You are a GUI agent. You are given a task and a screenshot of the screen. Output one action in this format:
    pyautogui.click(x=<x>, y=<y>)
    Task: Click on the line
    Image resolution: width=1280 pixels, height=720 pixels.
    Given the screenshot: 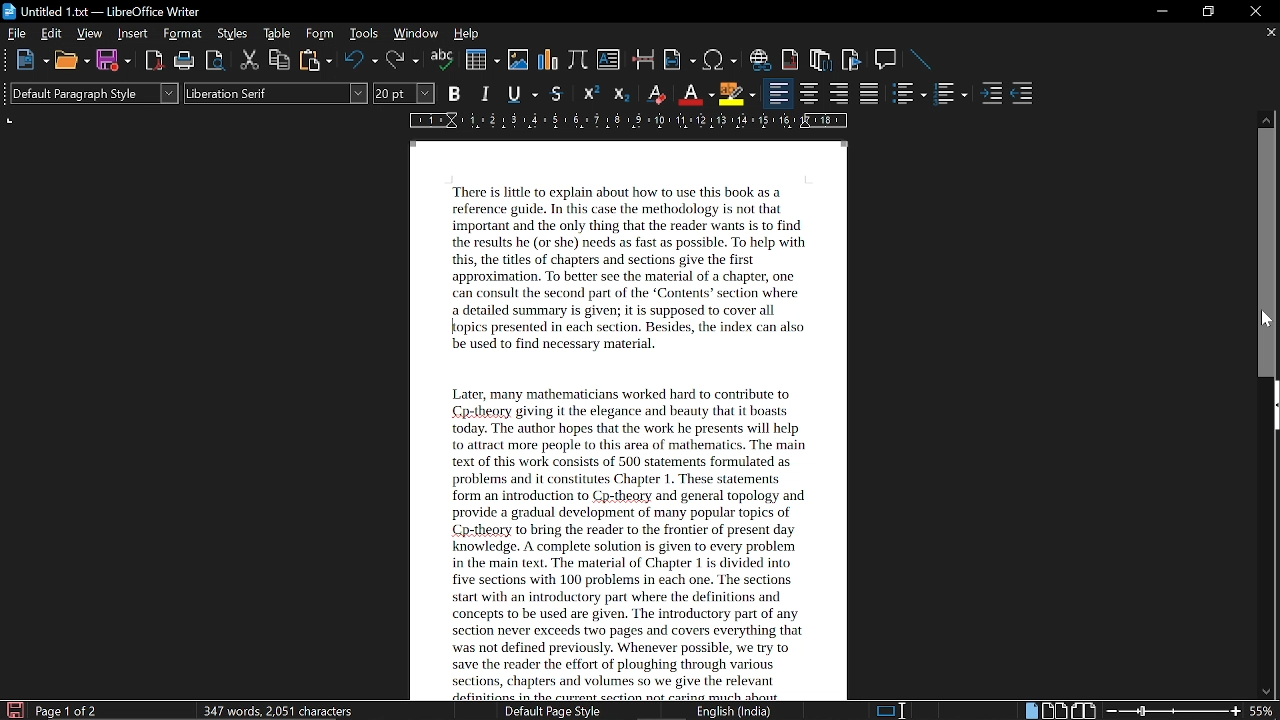 What is the action you would take?
    pyautogui.click(x=922, y=60)
    